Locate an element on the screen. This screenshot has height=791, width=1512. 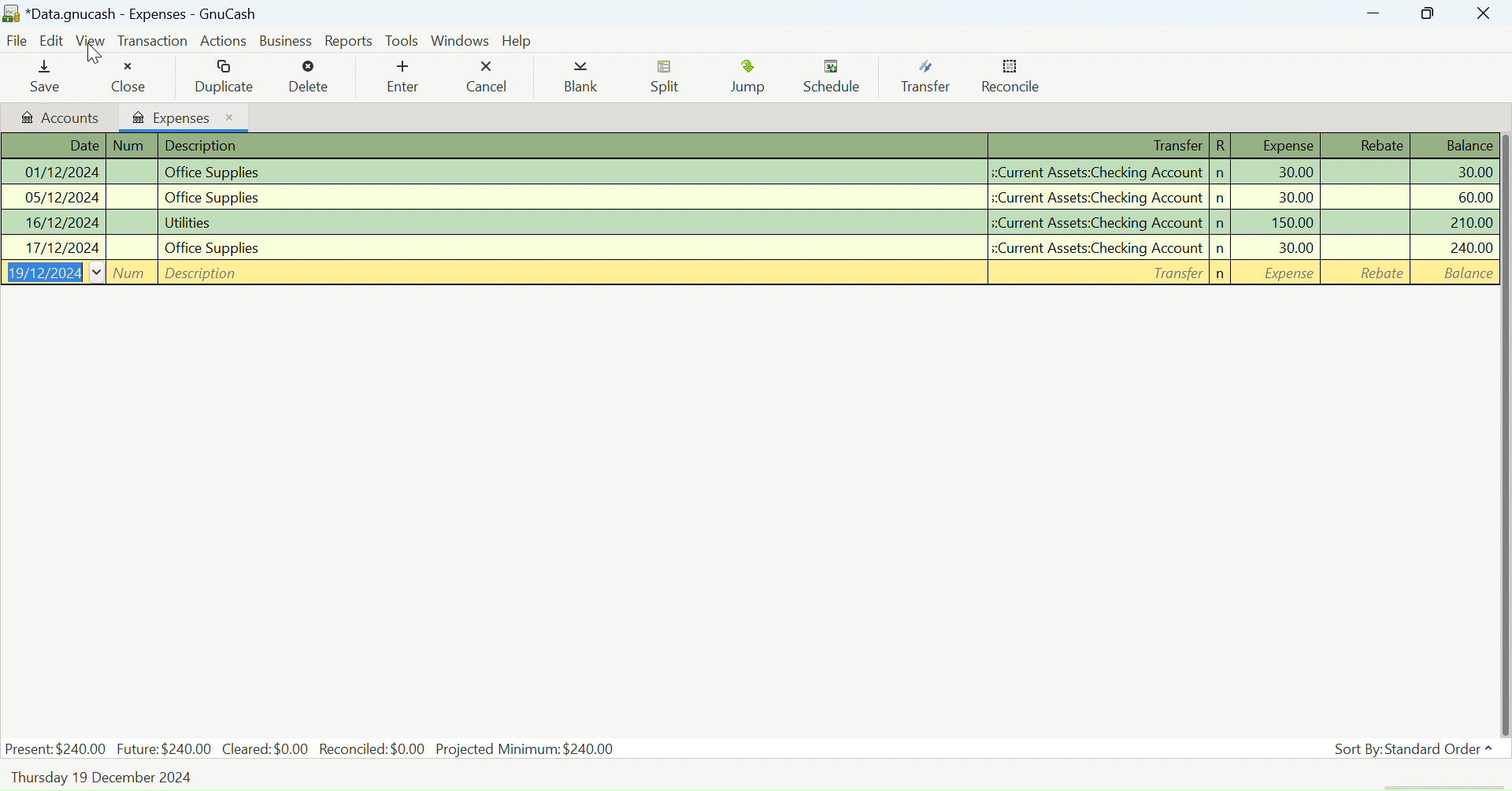
Transfer is located at coordinates (931, 77).